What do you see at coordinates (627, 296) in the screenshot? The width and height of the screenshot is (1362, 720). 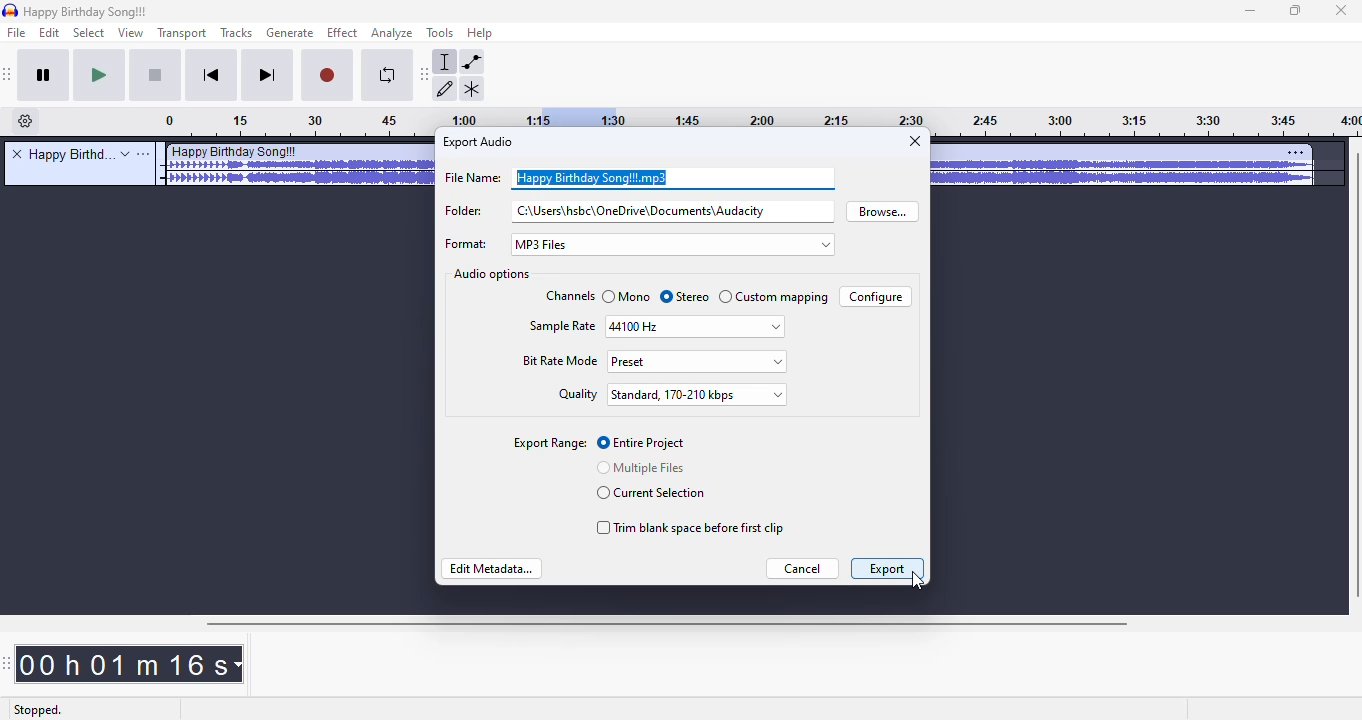 I see `mono` at bounding box center [627, 296].